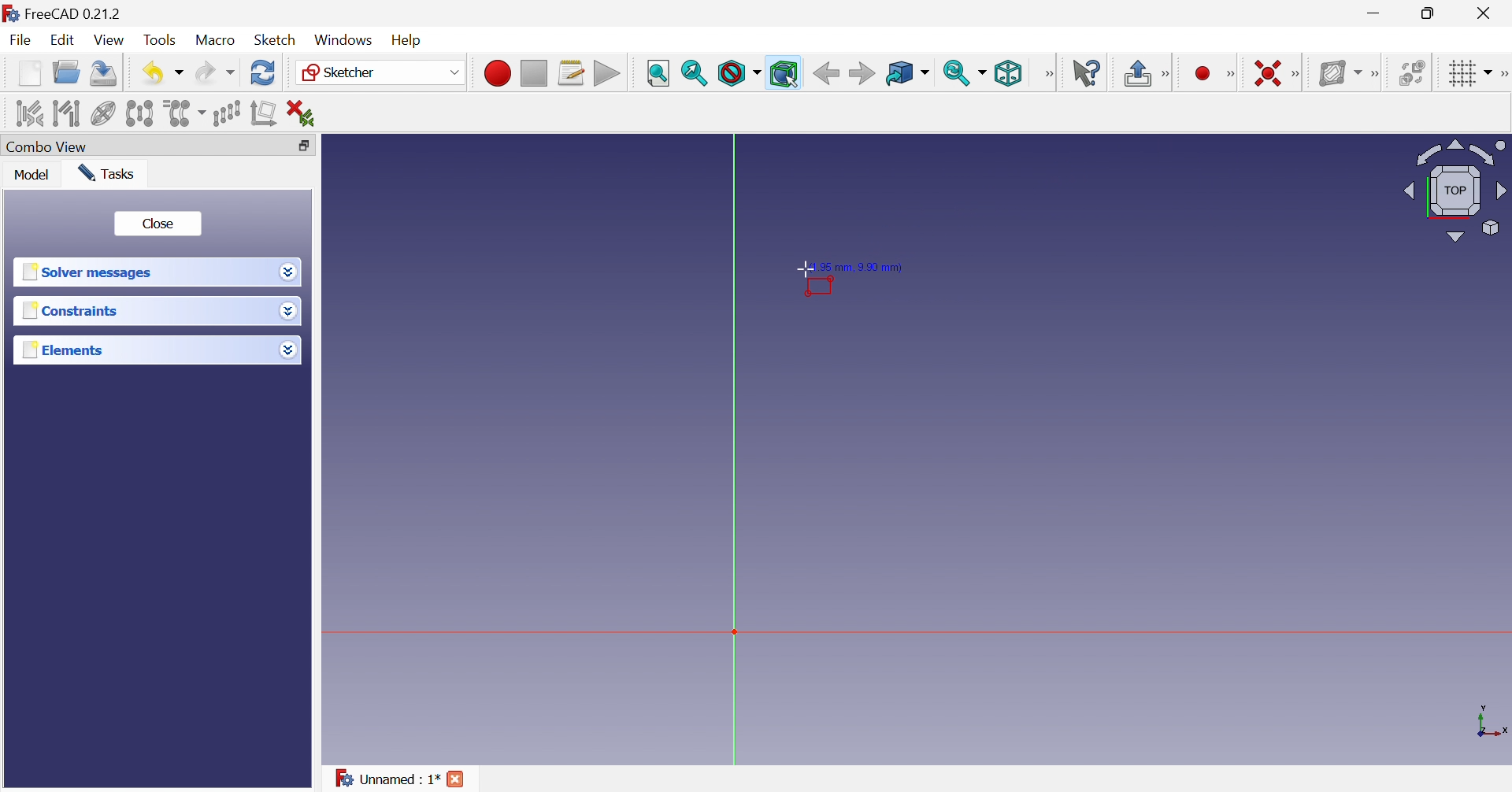 Image resolution: width=1512 pixels, height=792 pixels. What do you see at coordinates (806, 268) in the screenshot?
I see `Cursor` at bounding box center [806, 268].